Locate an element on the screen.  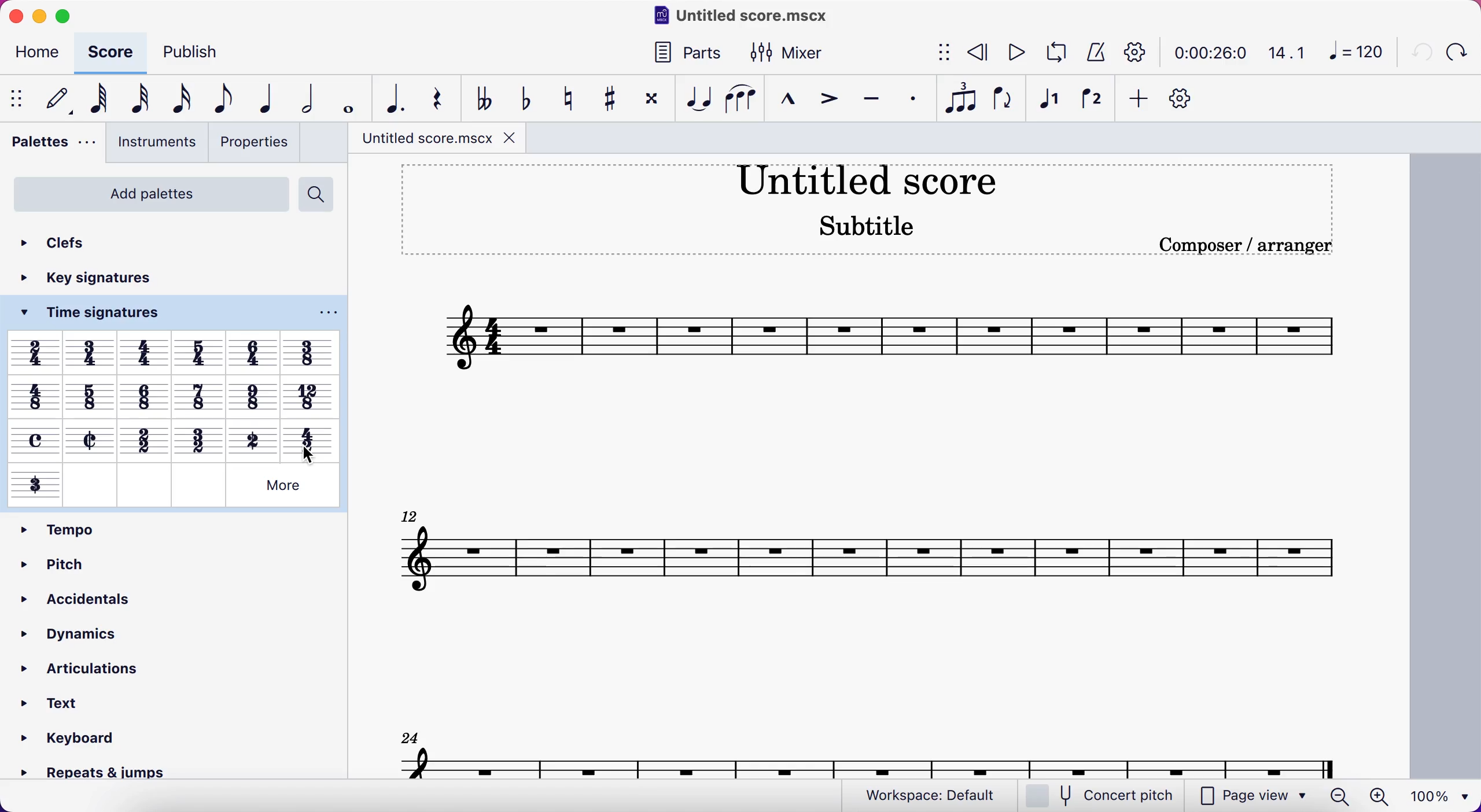
eight note is located at coordinates (216, 99).